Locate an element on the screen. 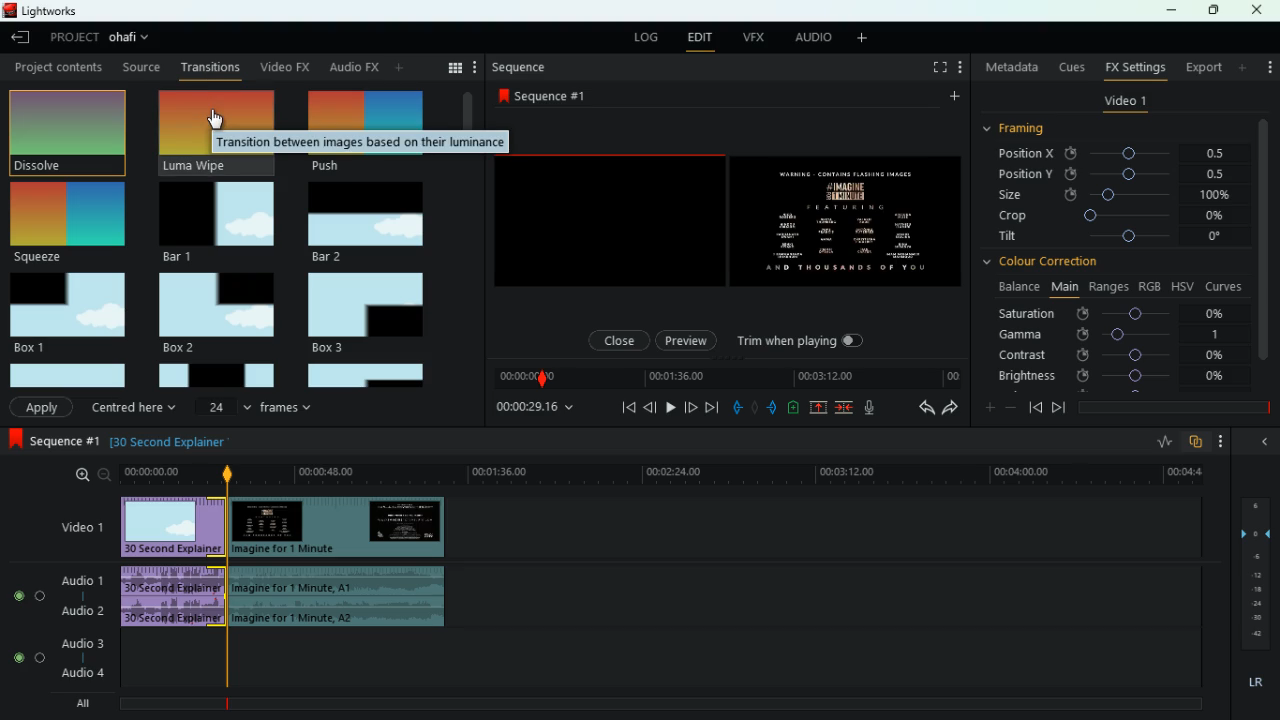 The width and height of the screenshot is (1280, 720). play is located at coordinates (667, 407).